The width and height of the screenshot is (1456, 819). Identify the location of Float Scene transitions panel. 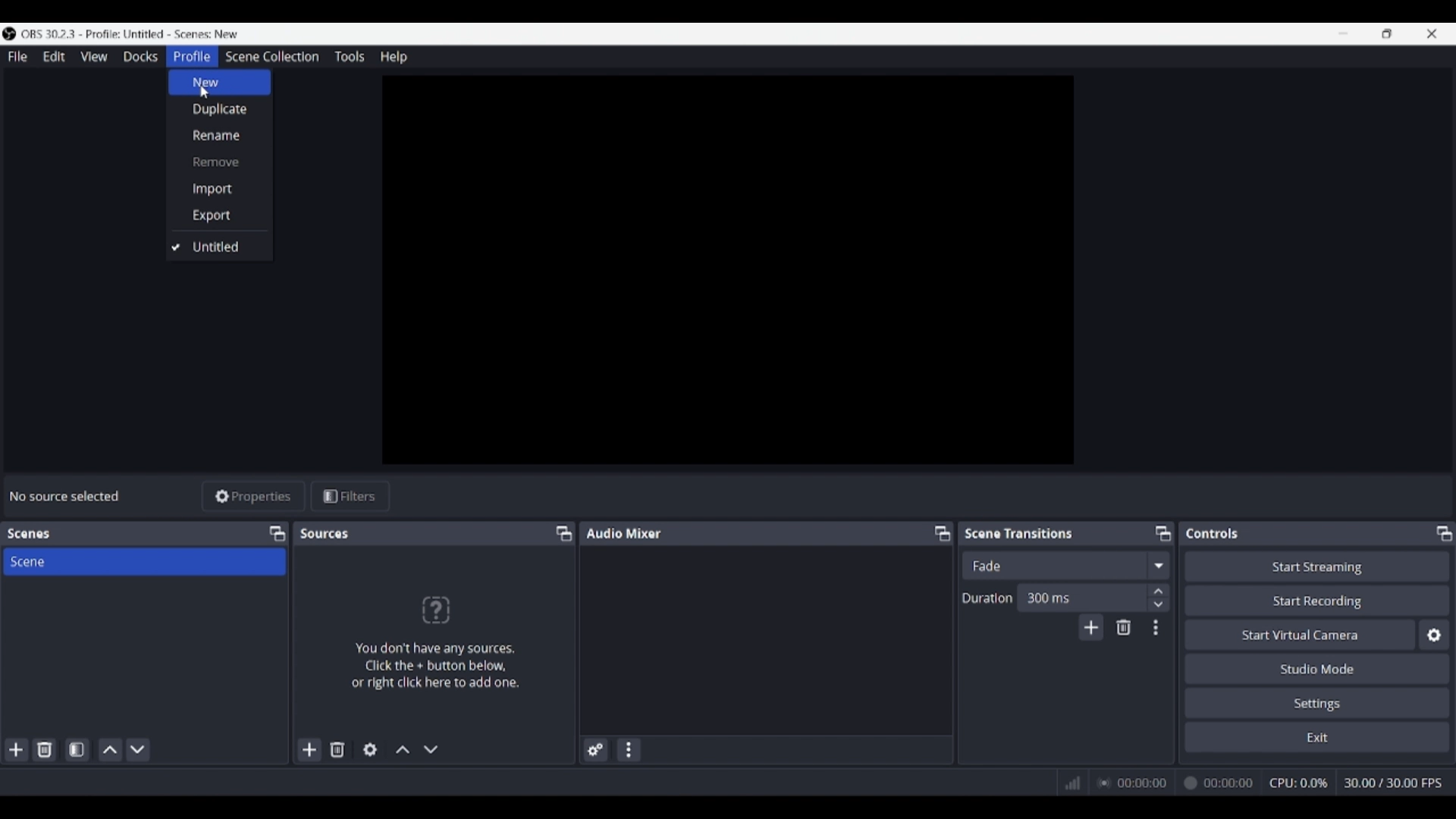
(1163, 533).